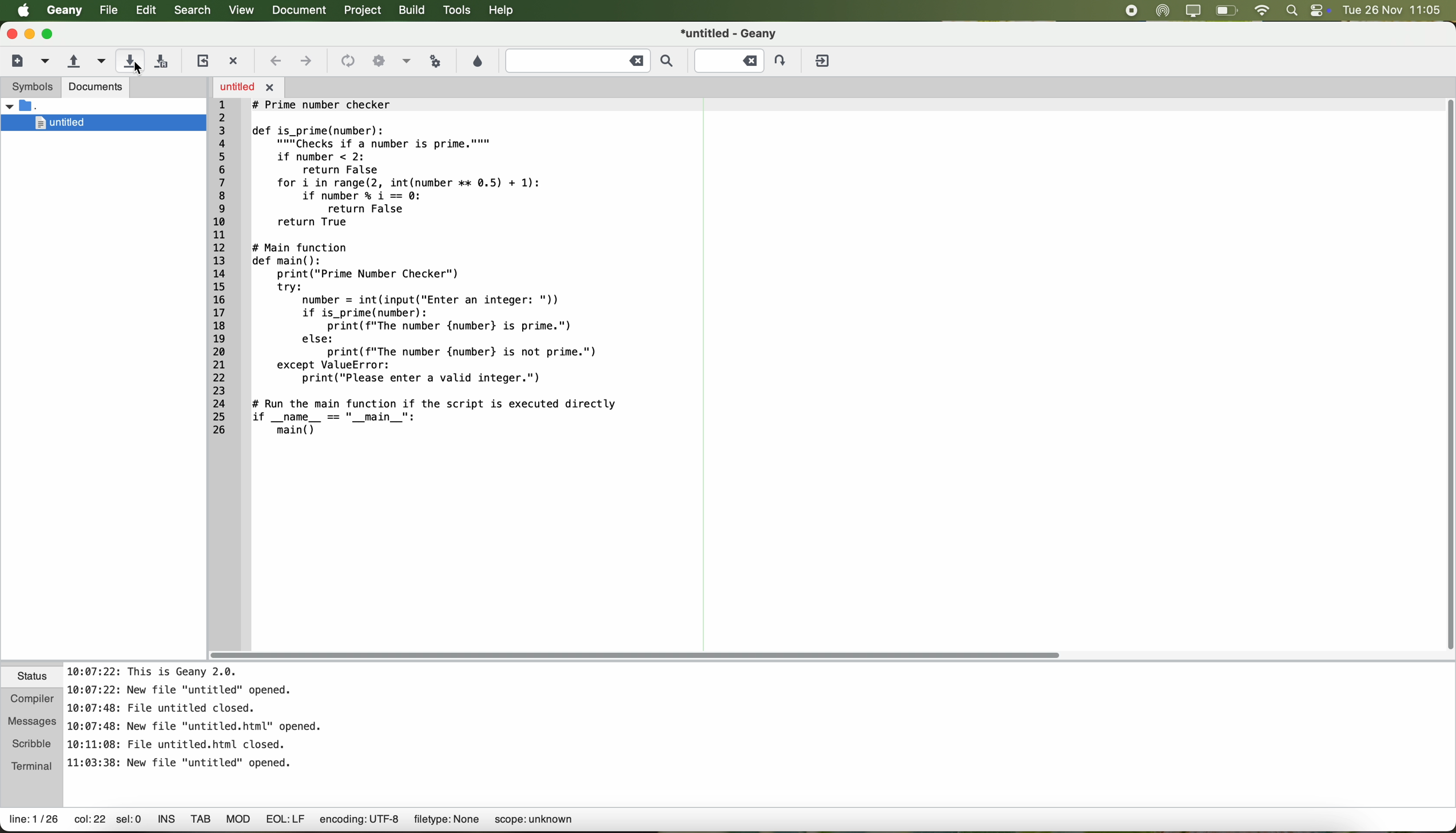  I want to click on screen, so click(1193, 11).